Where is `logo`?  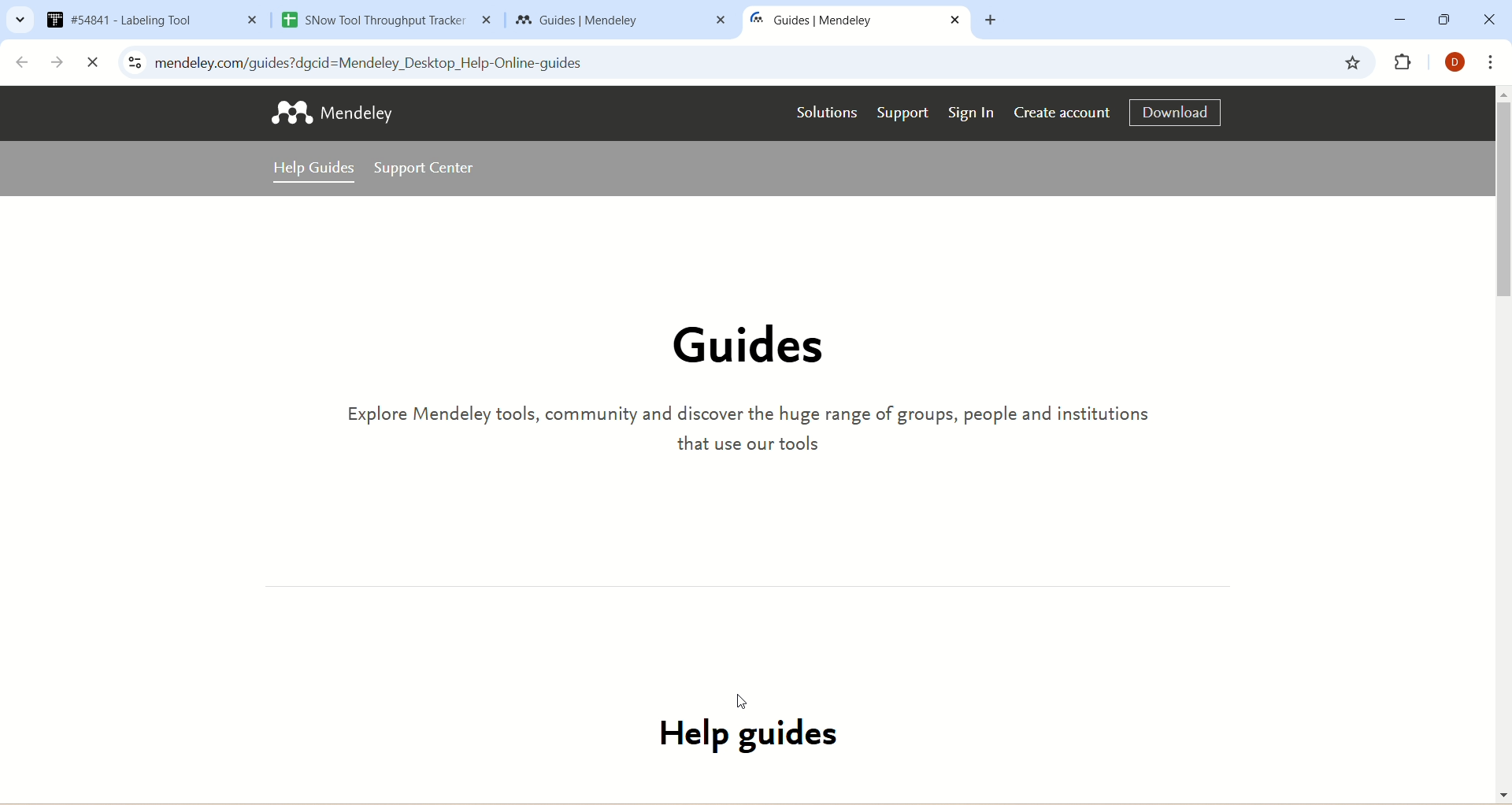
logo is located at coordinates (290, 112).